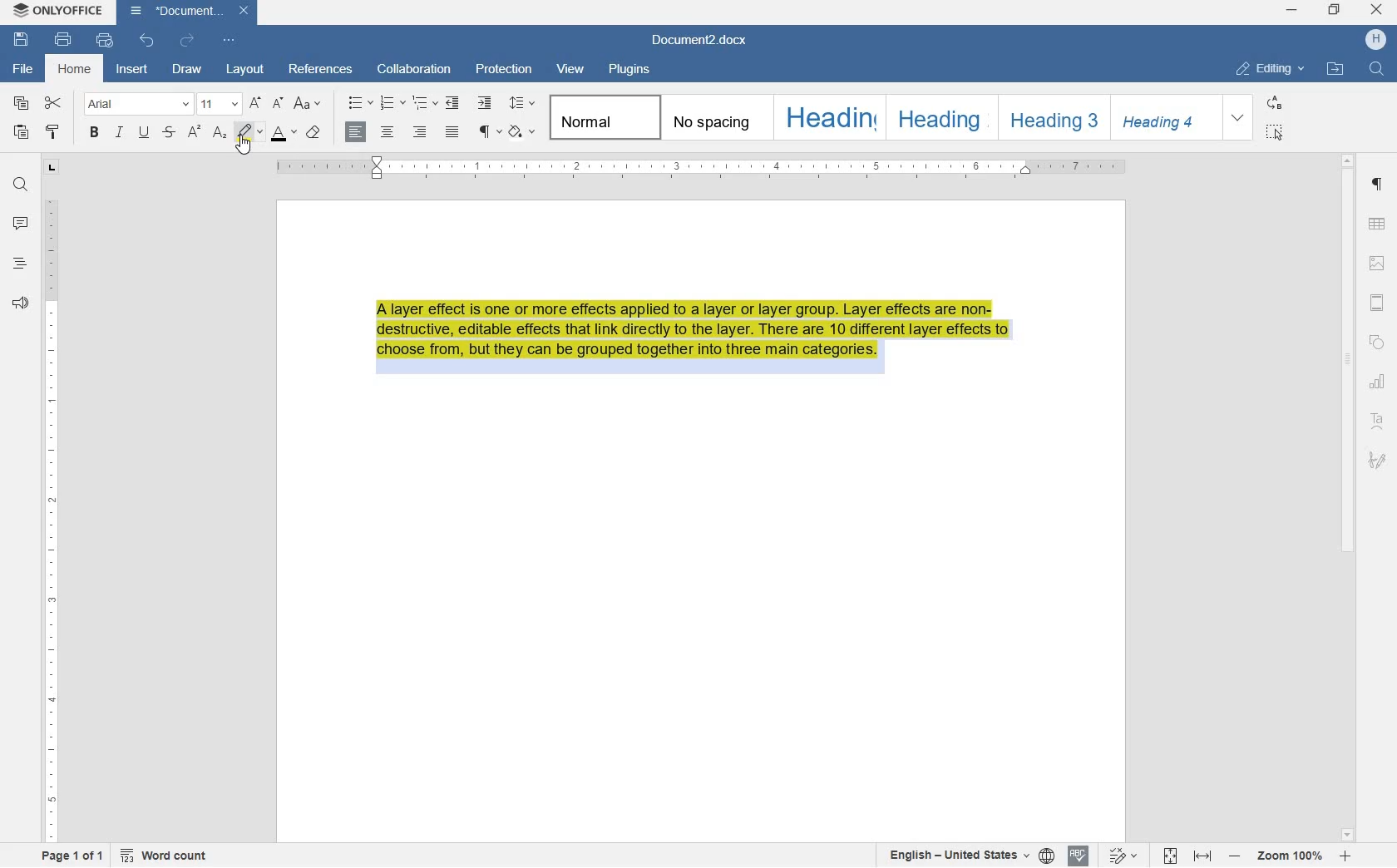 This screenshot has width=1397, height=868. I want to click on Document2.docx, so click(699, 42).